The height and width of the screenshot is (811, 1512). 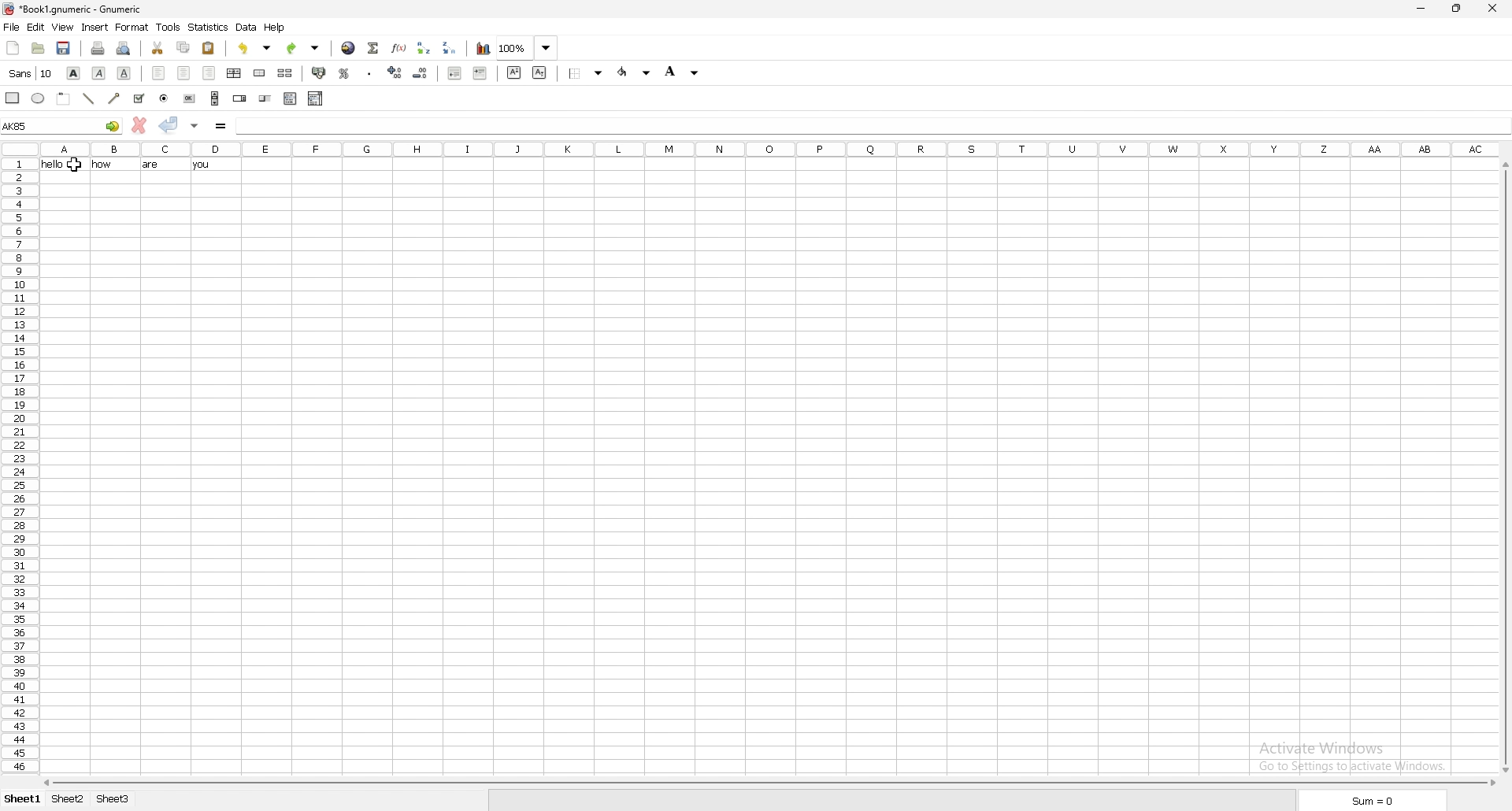 I want to click on superscript, so click(x=513, y=72).